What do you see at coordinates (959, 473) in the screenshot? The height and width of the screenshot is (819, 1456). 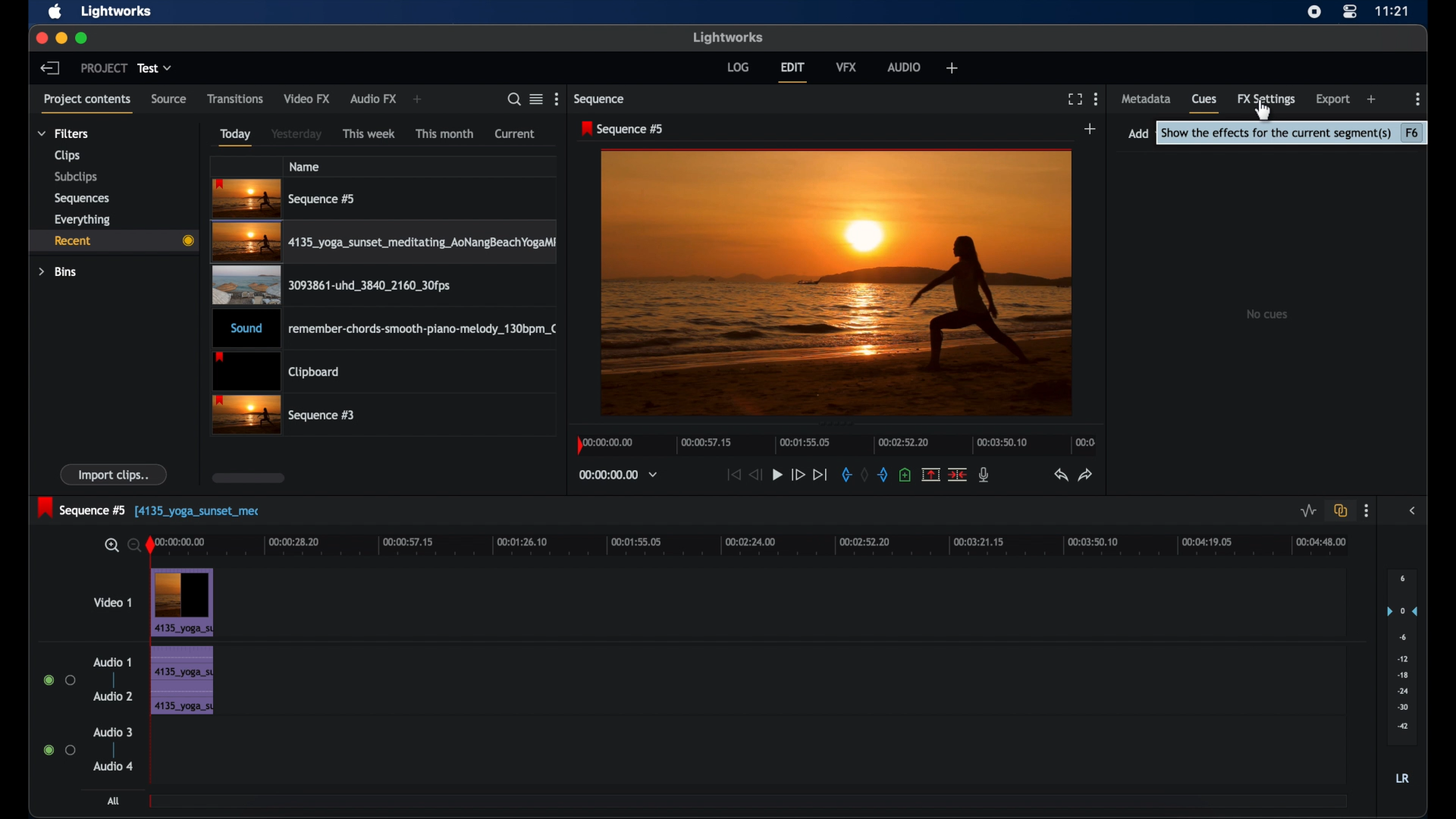 I see `split` at bounding box center [959, 473].